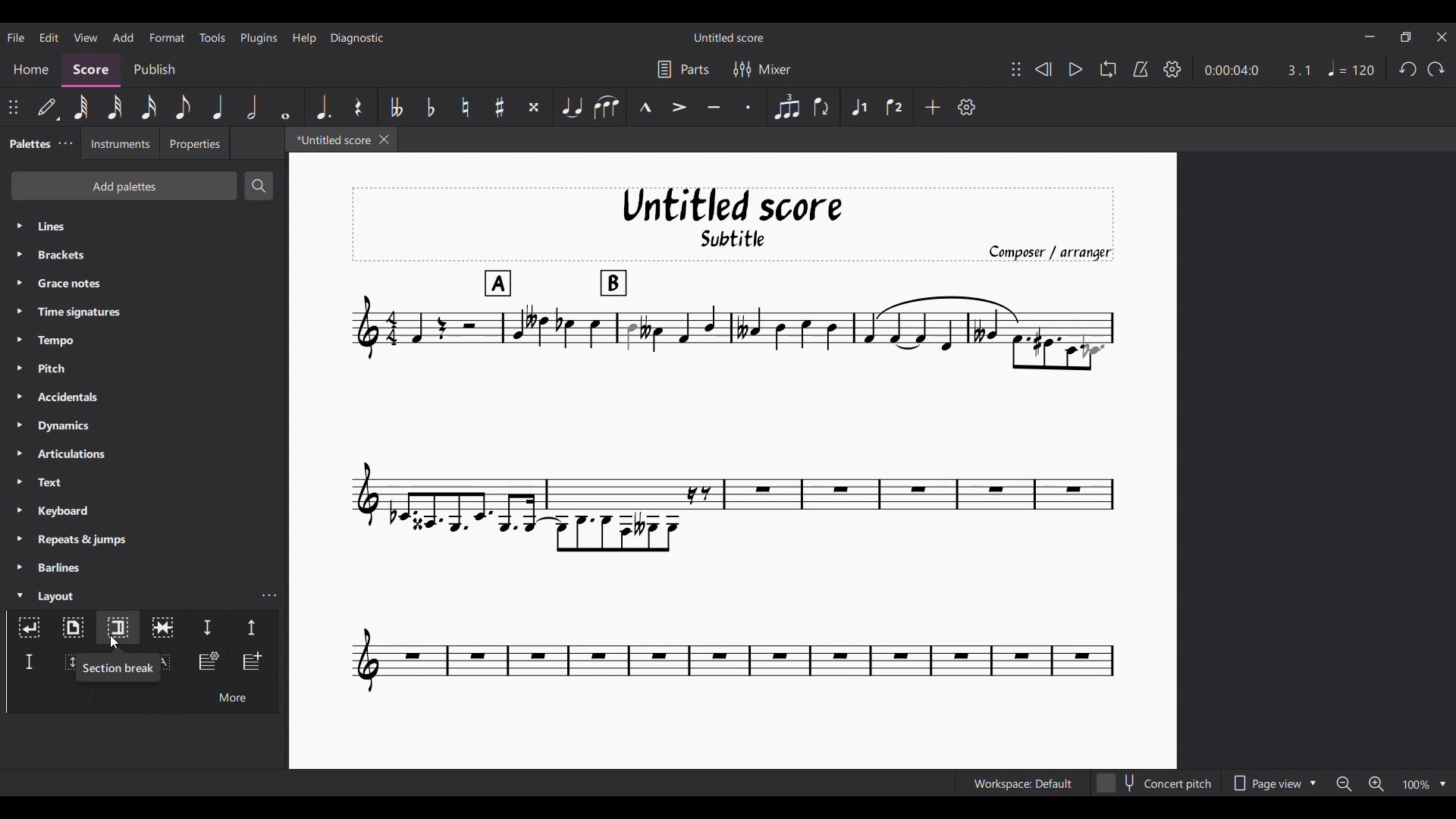 Image resolution: width=1456 pixels, height=819 pixels. Describe the element at coordinates (1442, 37) in the screenshot. I see `Close interface` at that location.